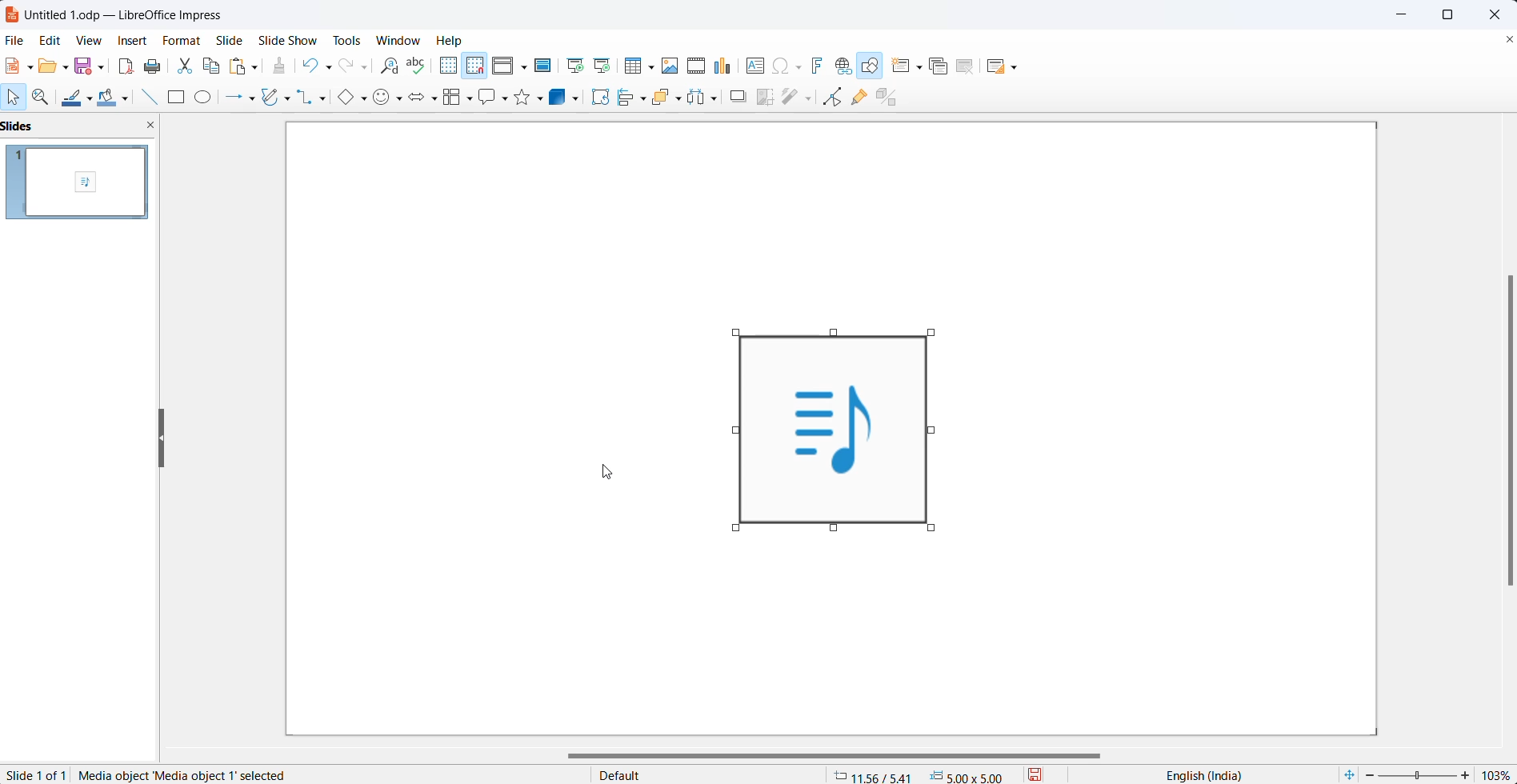 Image resolution: width=1517 pixels, height=784 pixels. I want to click on clone formatting, so click(281, 66).